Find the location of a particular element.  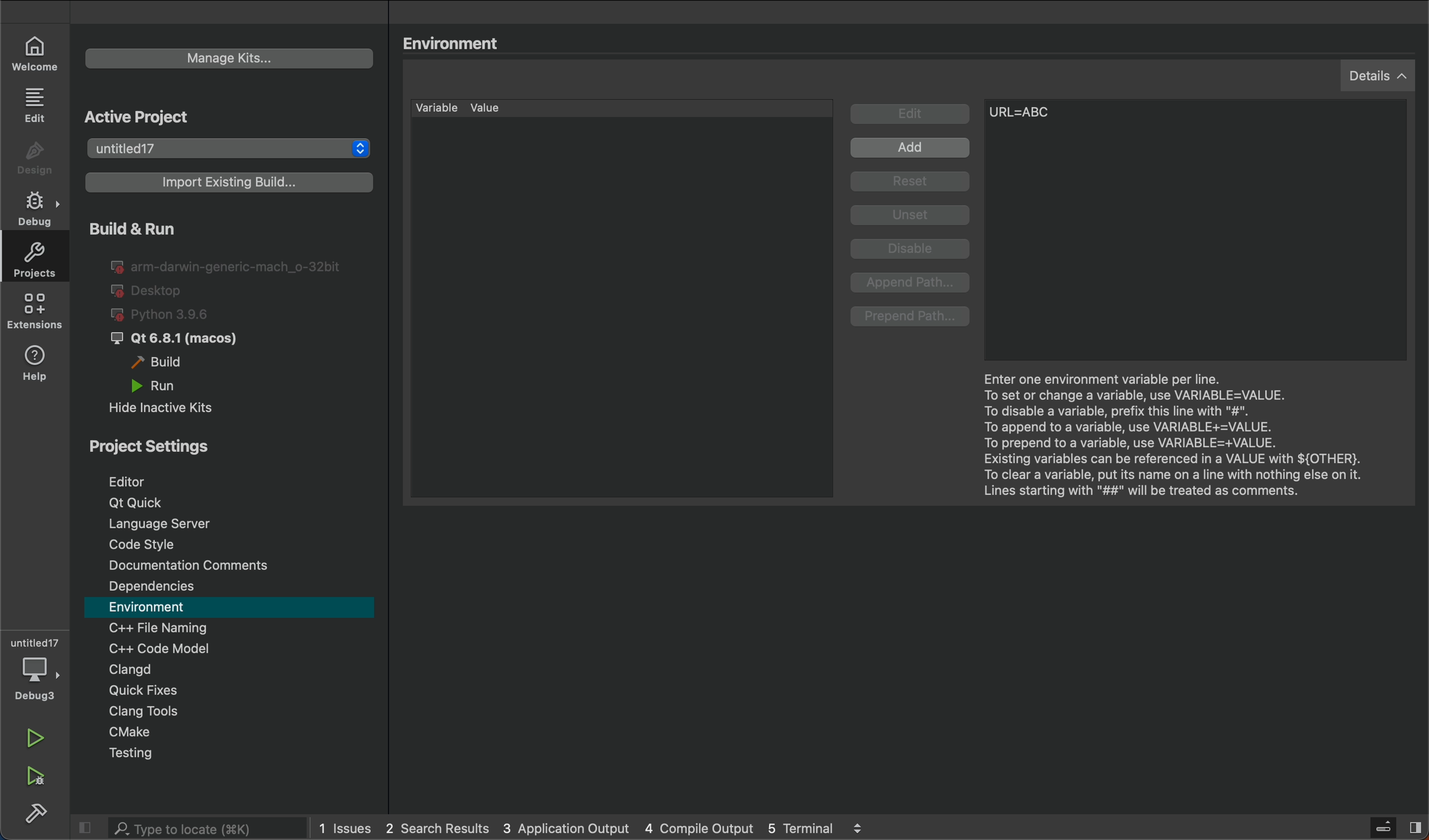

prepend path is located at coordinates (912, 317).